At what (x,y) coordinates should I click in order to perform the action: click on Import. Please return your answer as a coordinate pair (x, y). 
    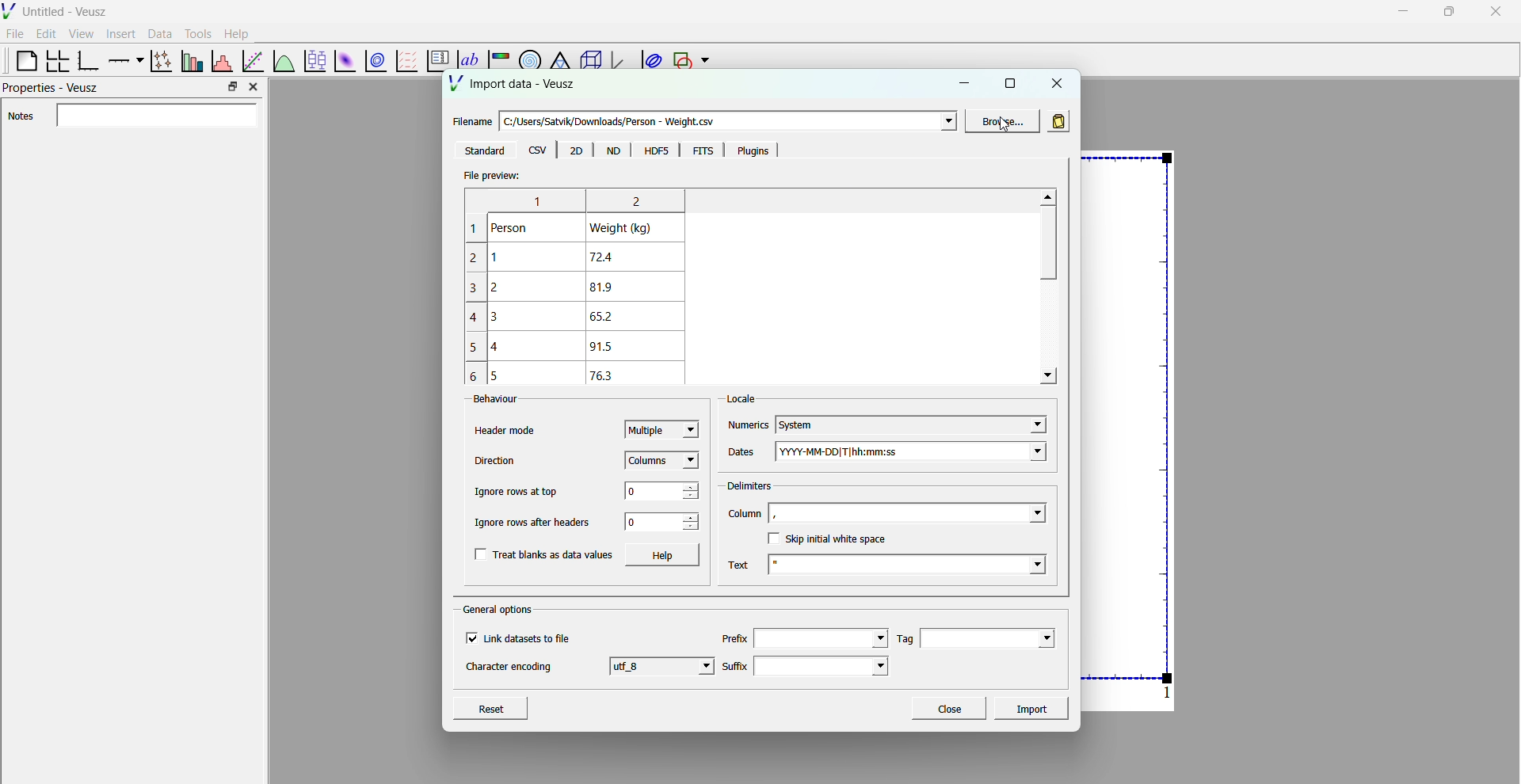
    Looking at the image, I should click on (1034, 707).